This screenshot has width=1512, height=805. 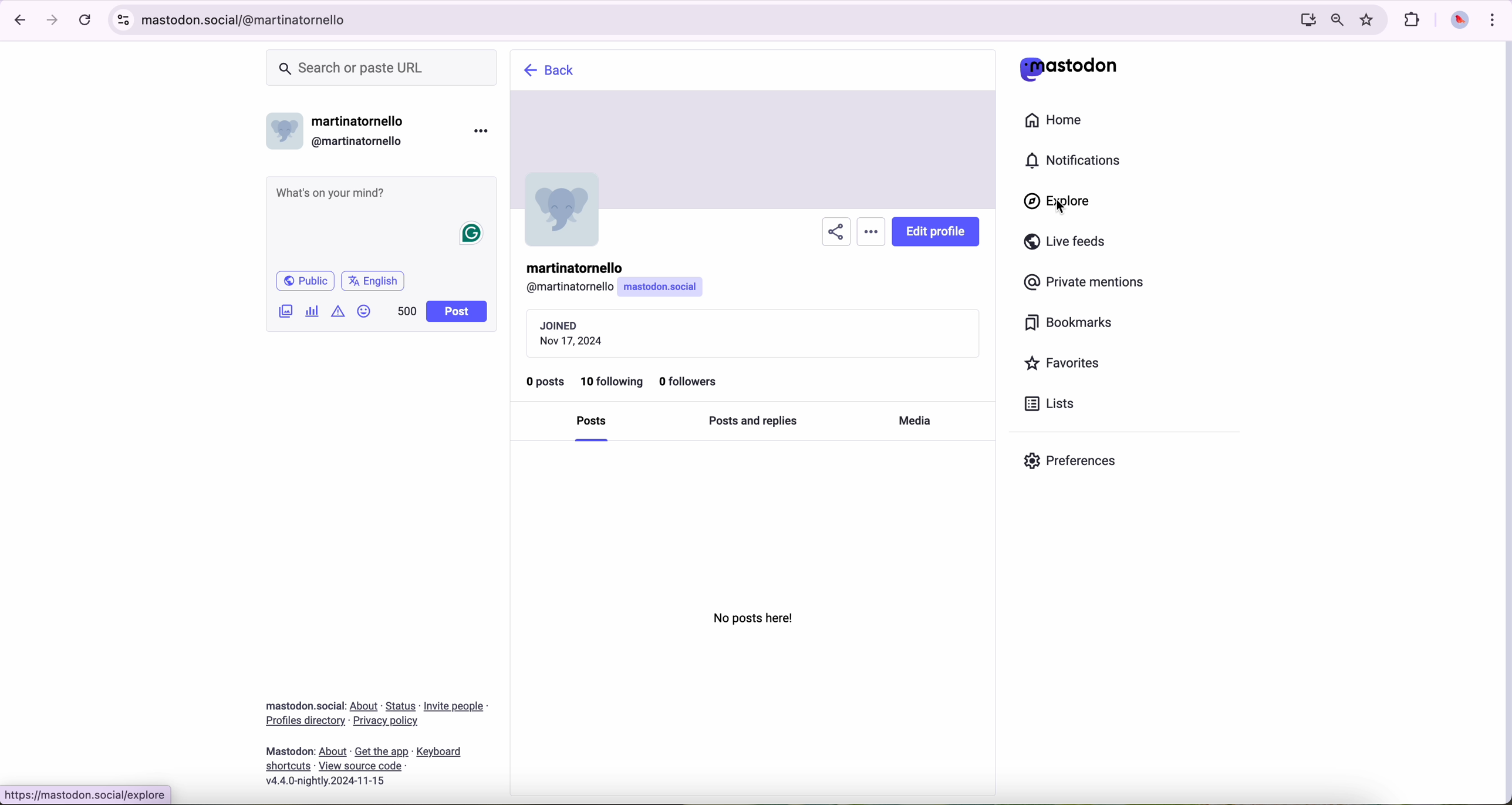 I want to click on 10 following, so click(x=612, y=382).